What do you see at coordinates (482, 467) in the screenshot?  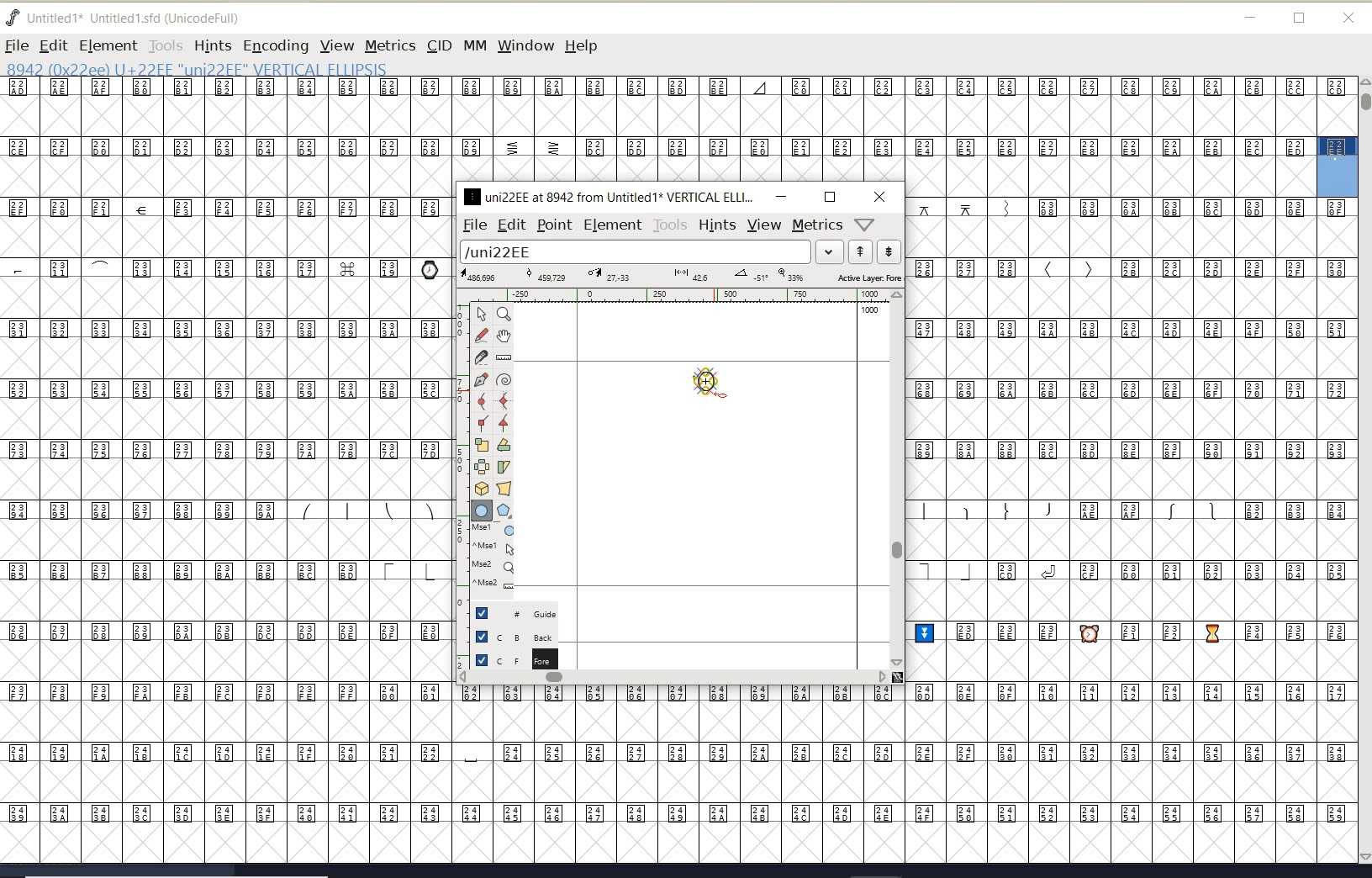 I see `flip the selection` at bounding box center [482, 467].